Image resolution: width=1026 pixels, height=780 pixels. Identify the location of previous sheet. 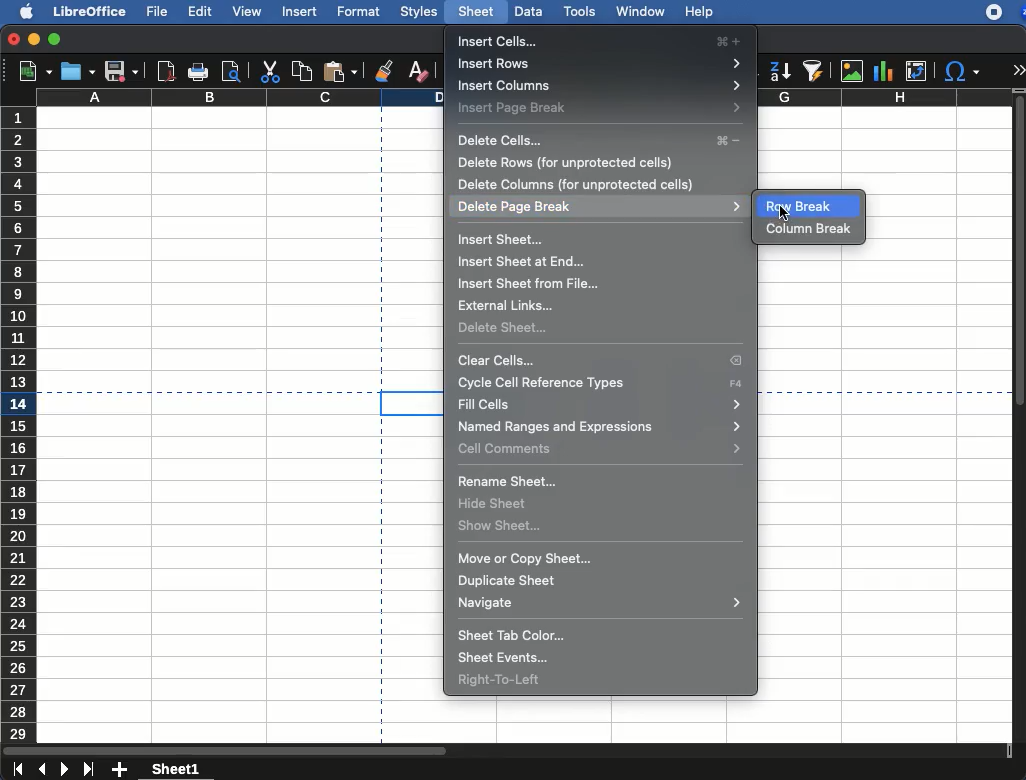
(43, 770).